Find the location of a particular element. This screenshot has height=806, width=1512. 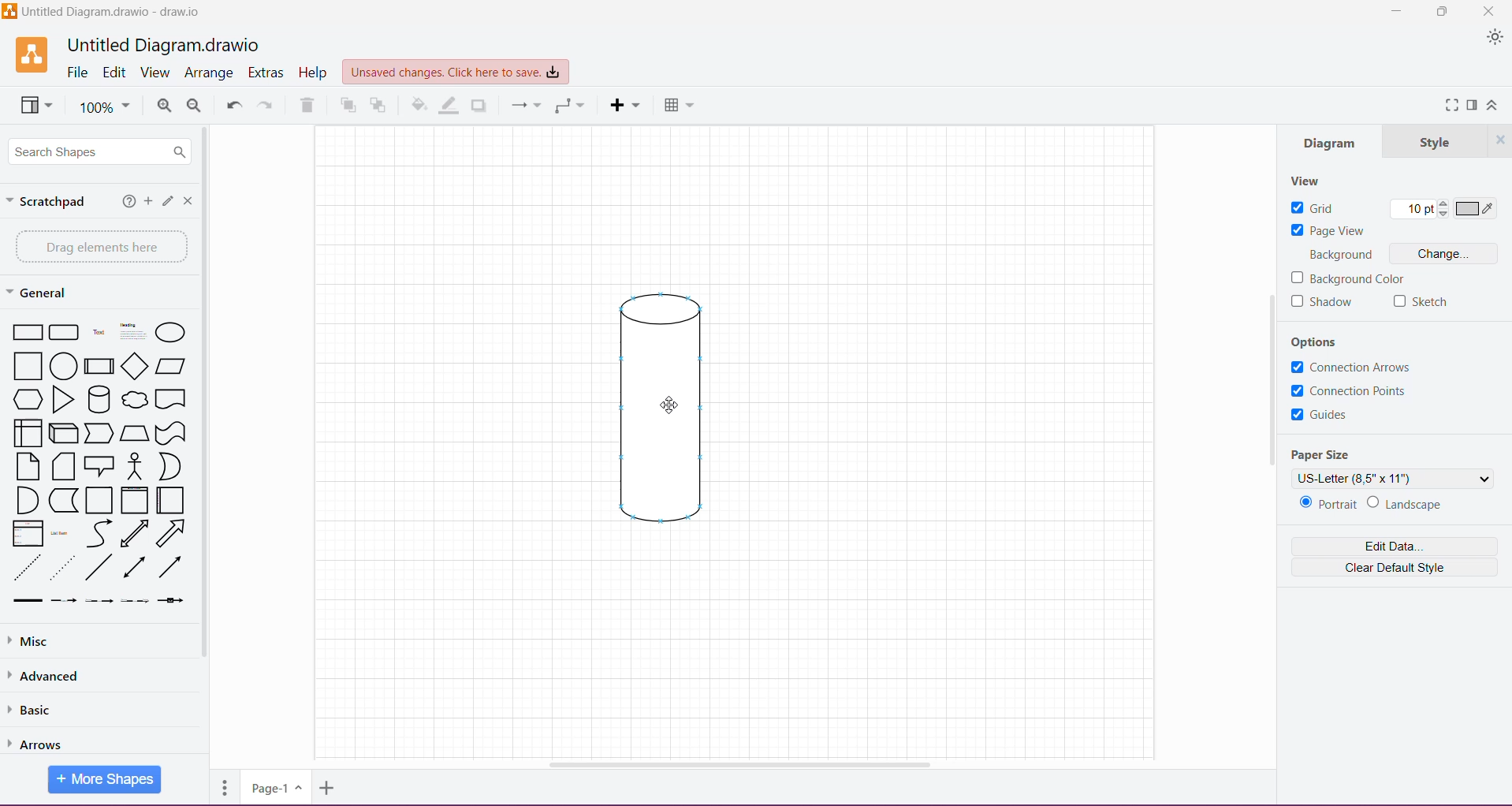

Clear Default Style is located at coordinates (1394, 569).